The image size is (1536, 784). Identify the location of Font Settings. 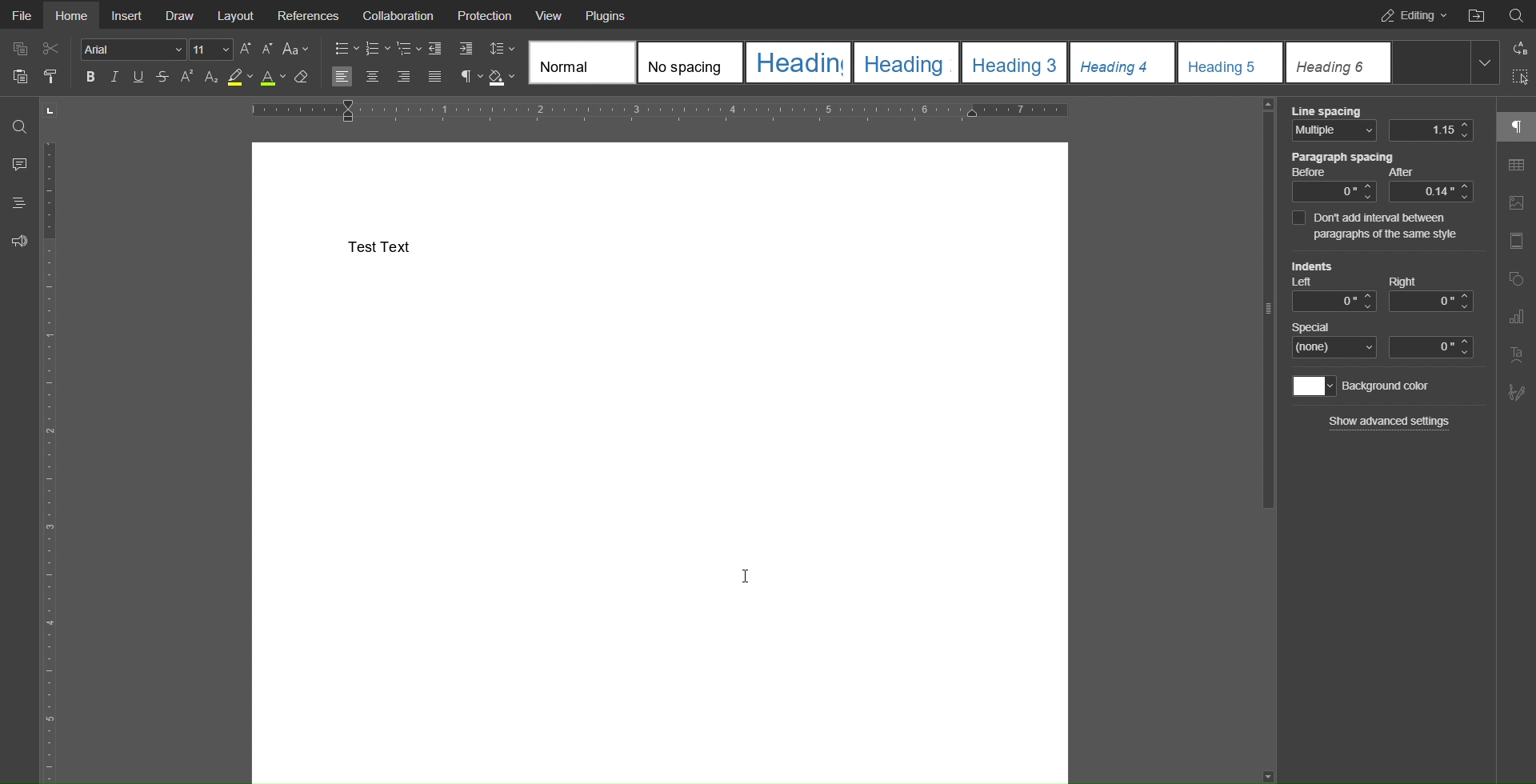
(157, 49).